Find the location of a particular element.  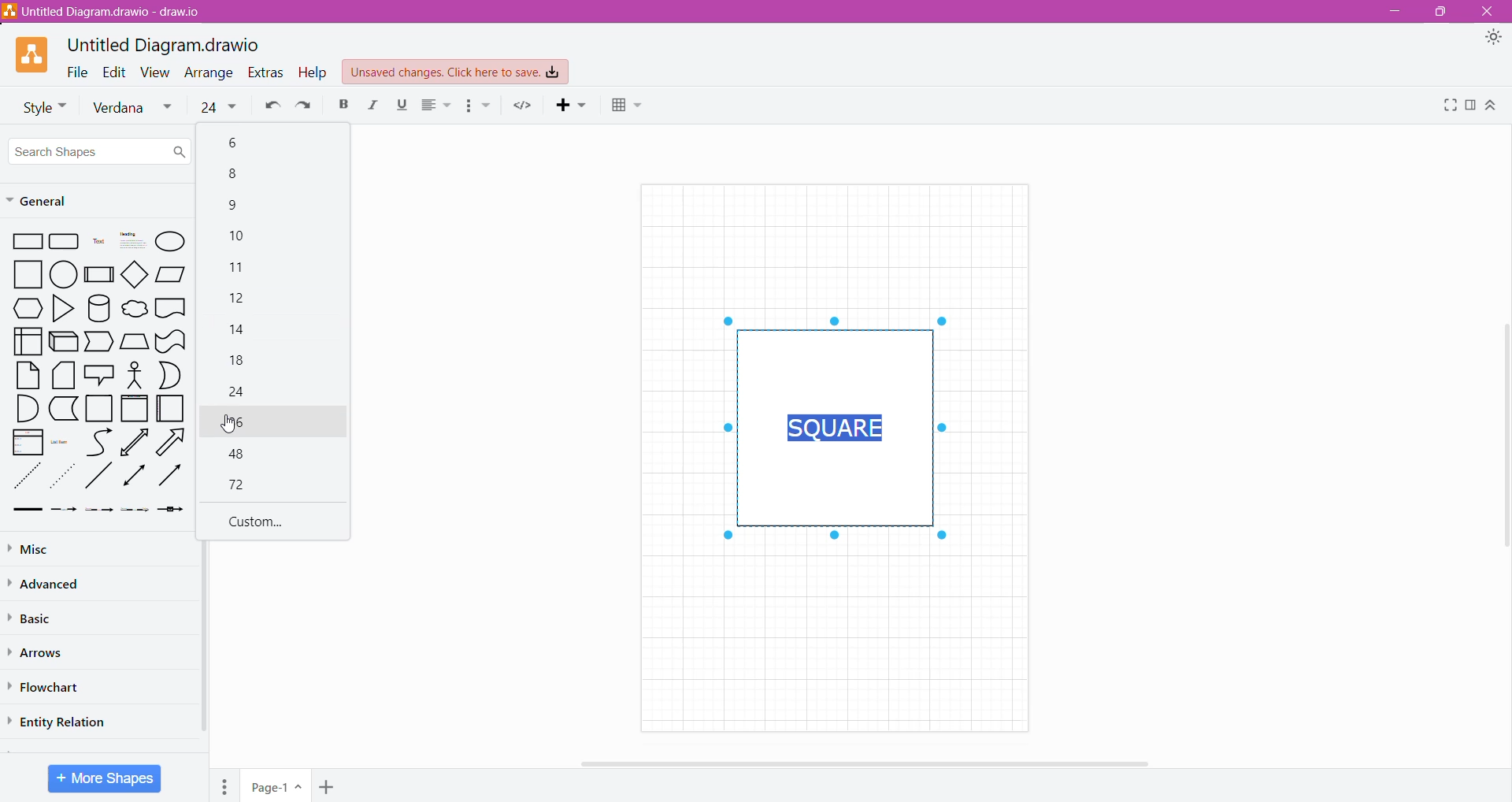

Horizontal Scroll Bar is located at coordinates (862, 763).